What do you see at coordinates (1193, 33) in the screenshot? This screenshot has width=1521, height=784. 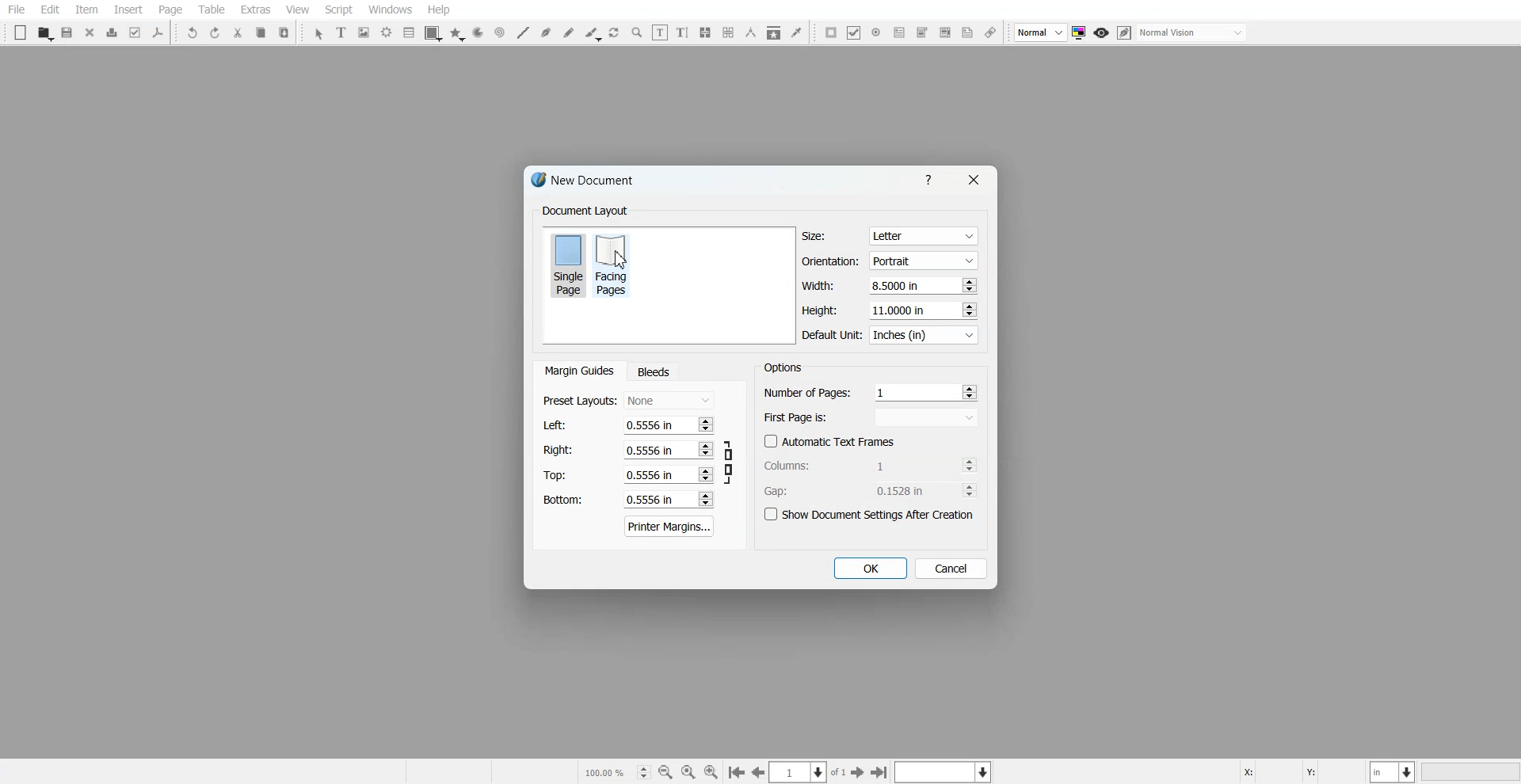 I see `Select visual appearance of the display` at bounding box center [1193, 33].